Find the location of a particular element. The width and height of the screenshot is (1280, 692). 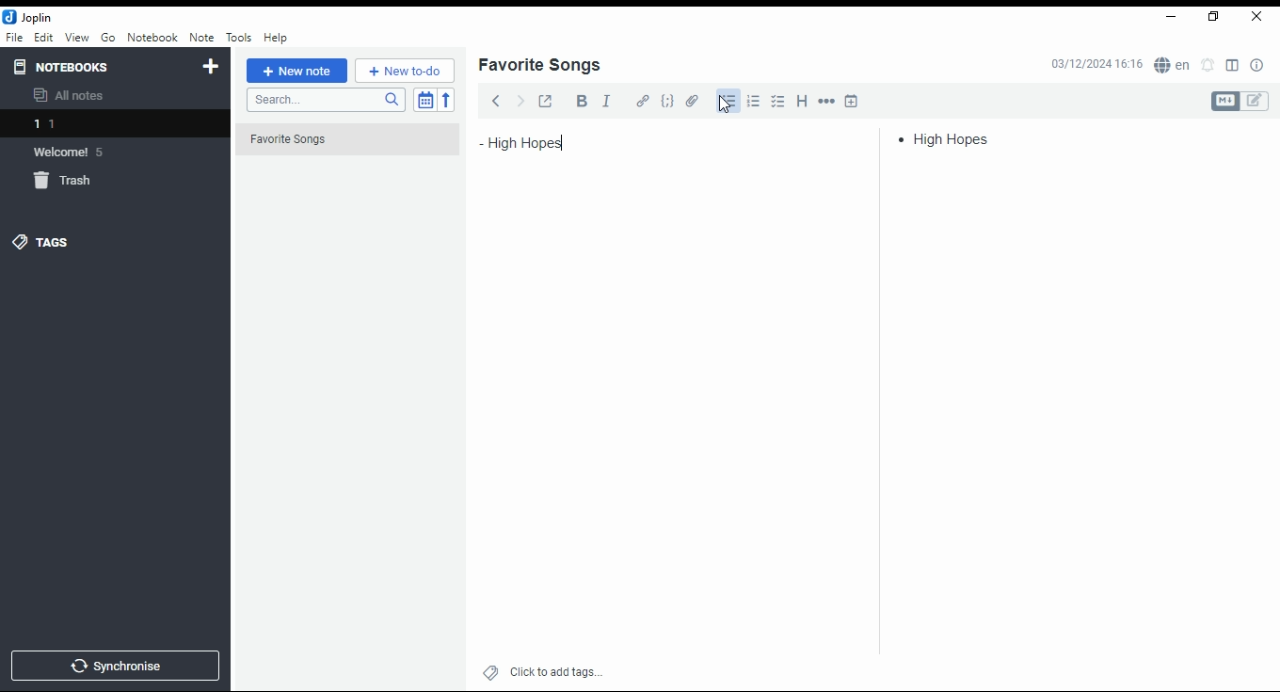

note is located at coordinates (201, 37).